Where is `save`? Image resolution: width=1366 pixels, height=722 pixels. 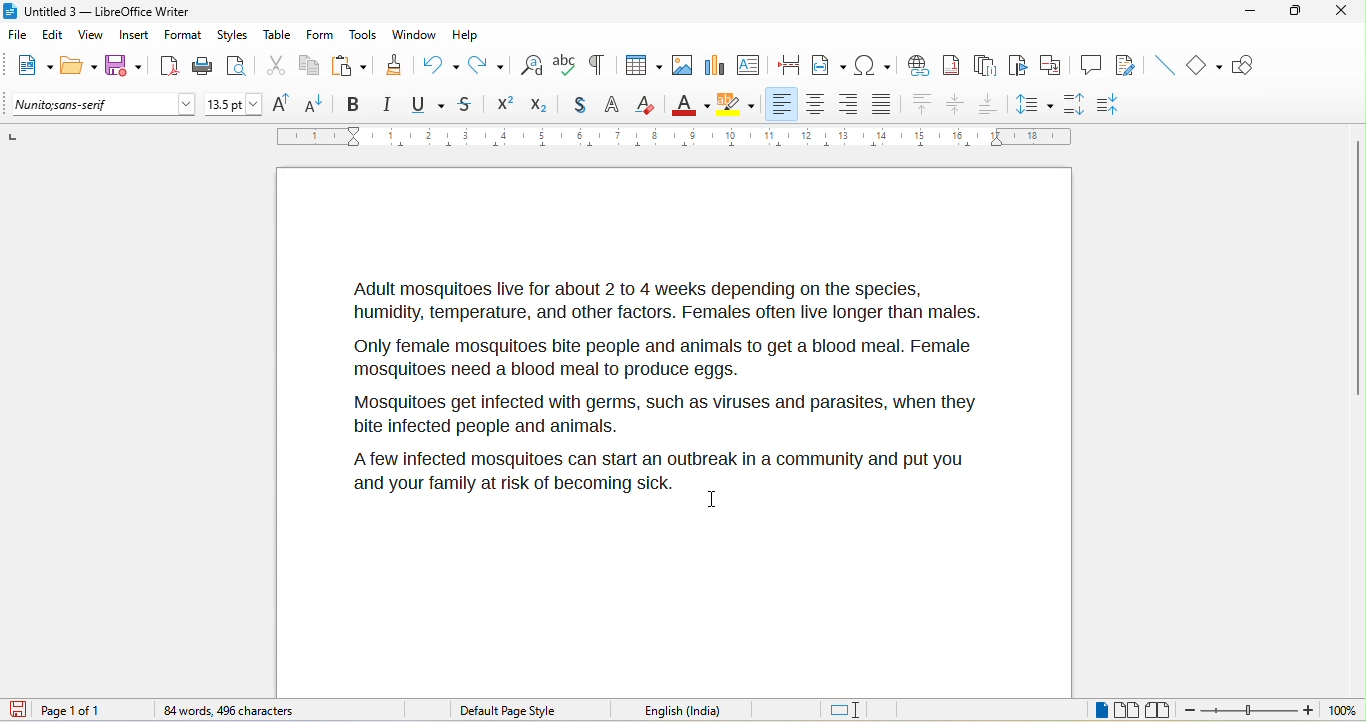
save is located at coordinates (125, 66).